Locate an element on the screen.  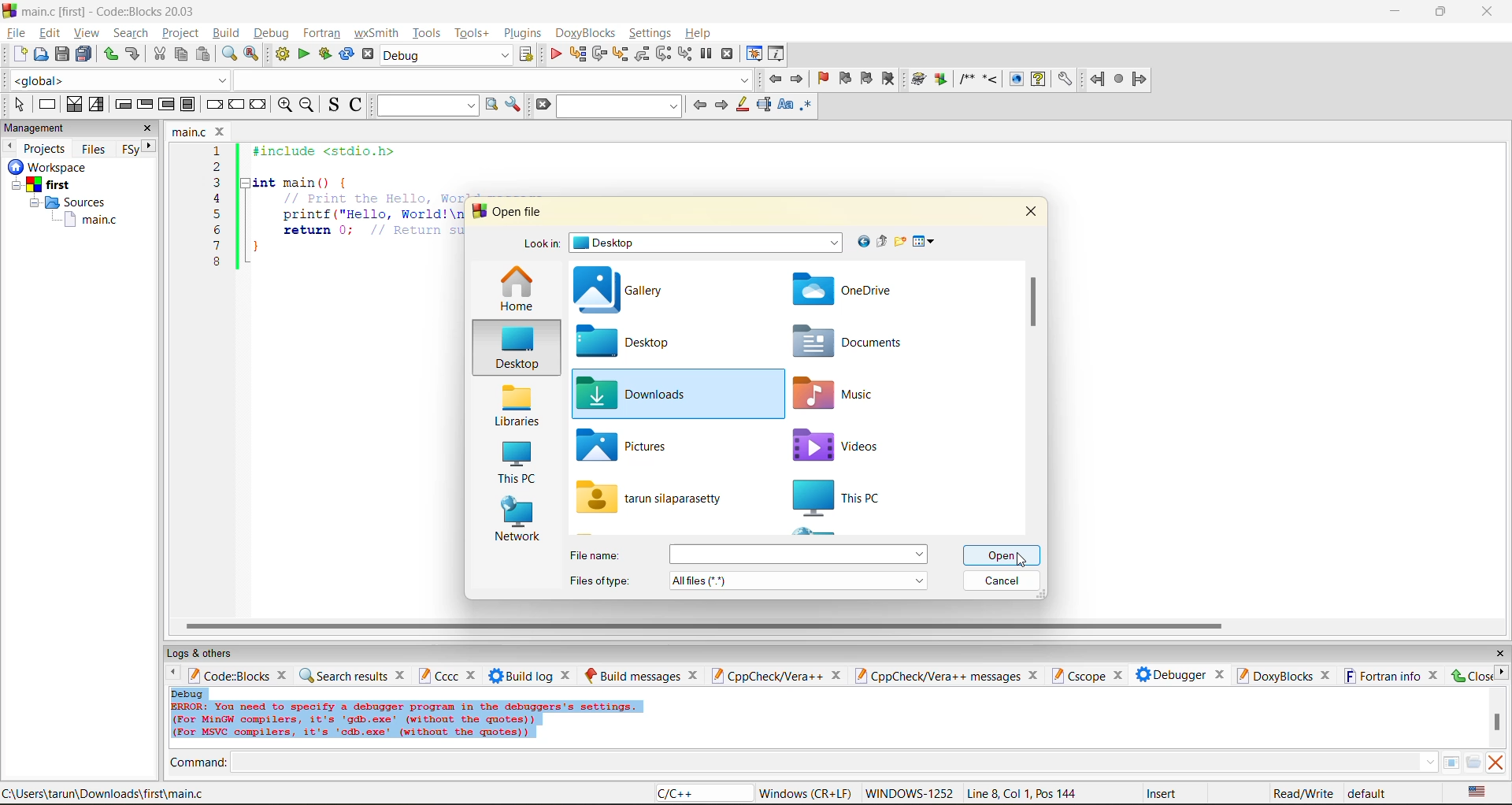
block instruction is located at coordinates (188, 105).